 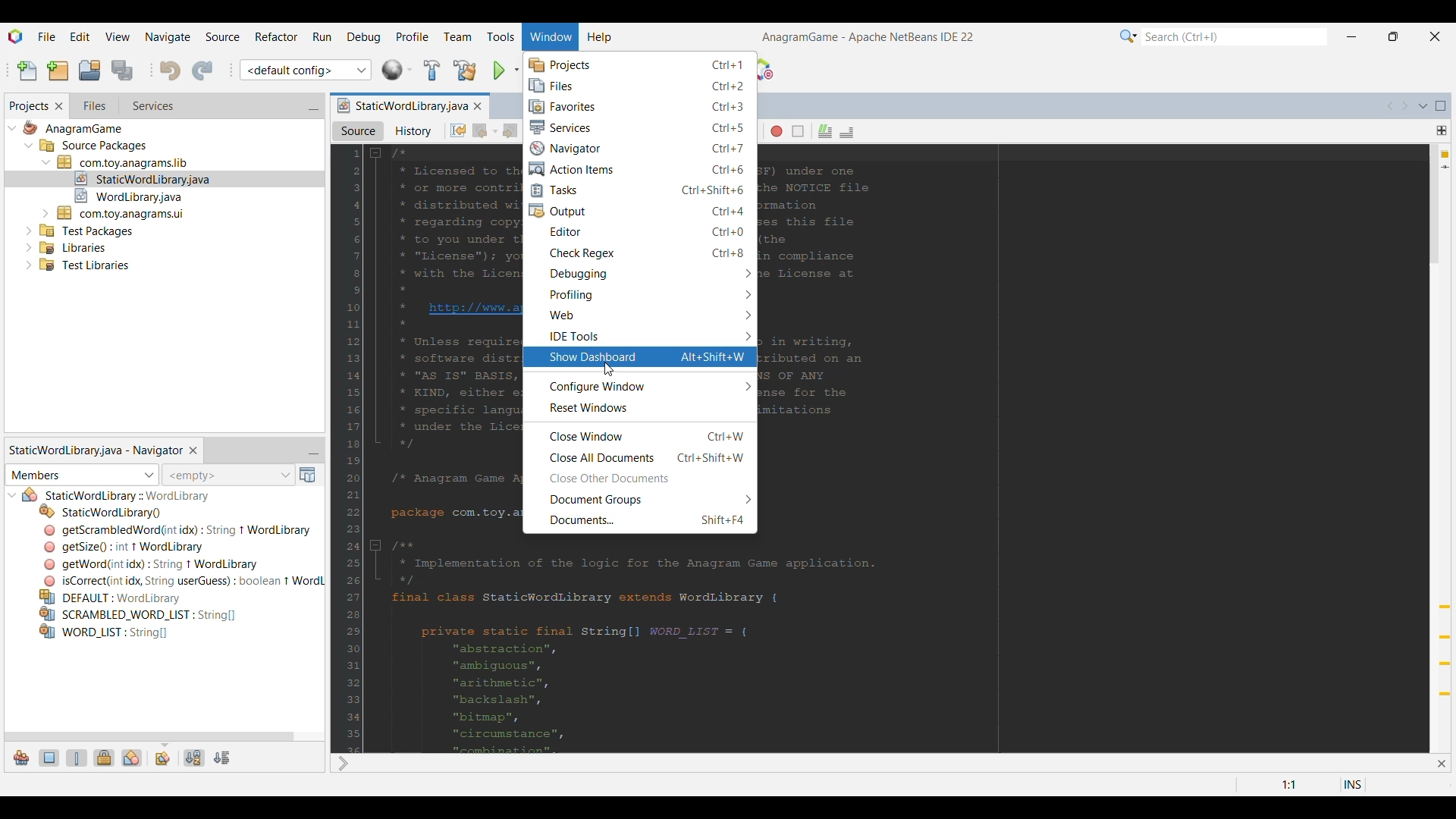 I want to click on Run menu, so click(x=322, y=36).